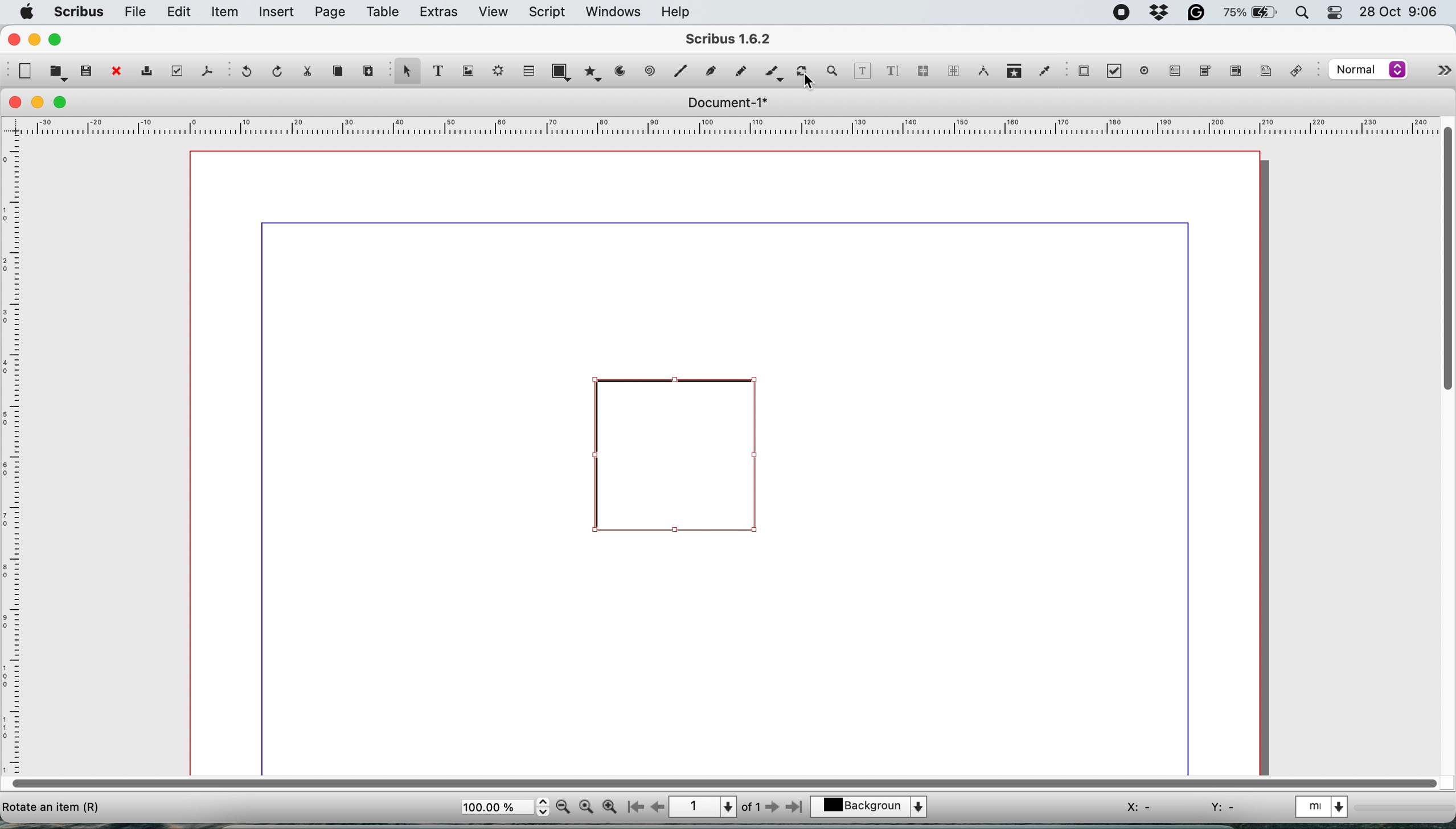  Describe the element at coordinates (1301, 71) in the screenshot. I see `link annotation` at that location.